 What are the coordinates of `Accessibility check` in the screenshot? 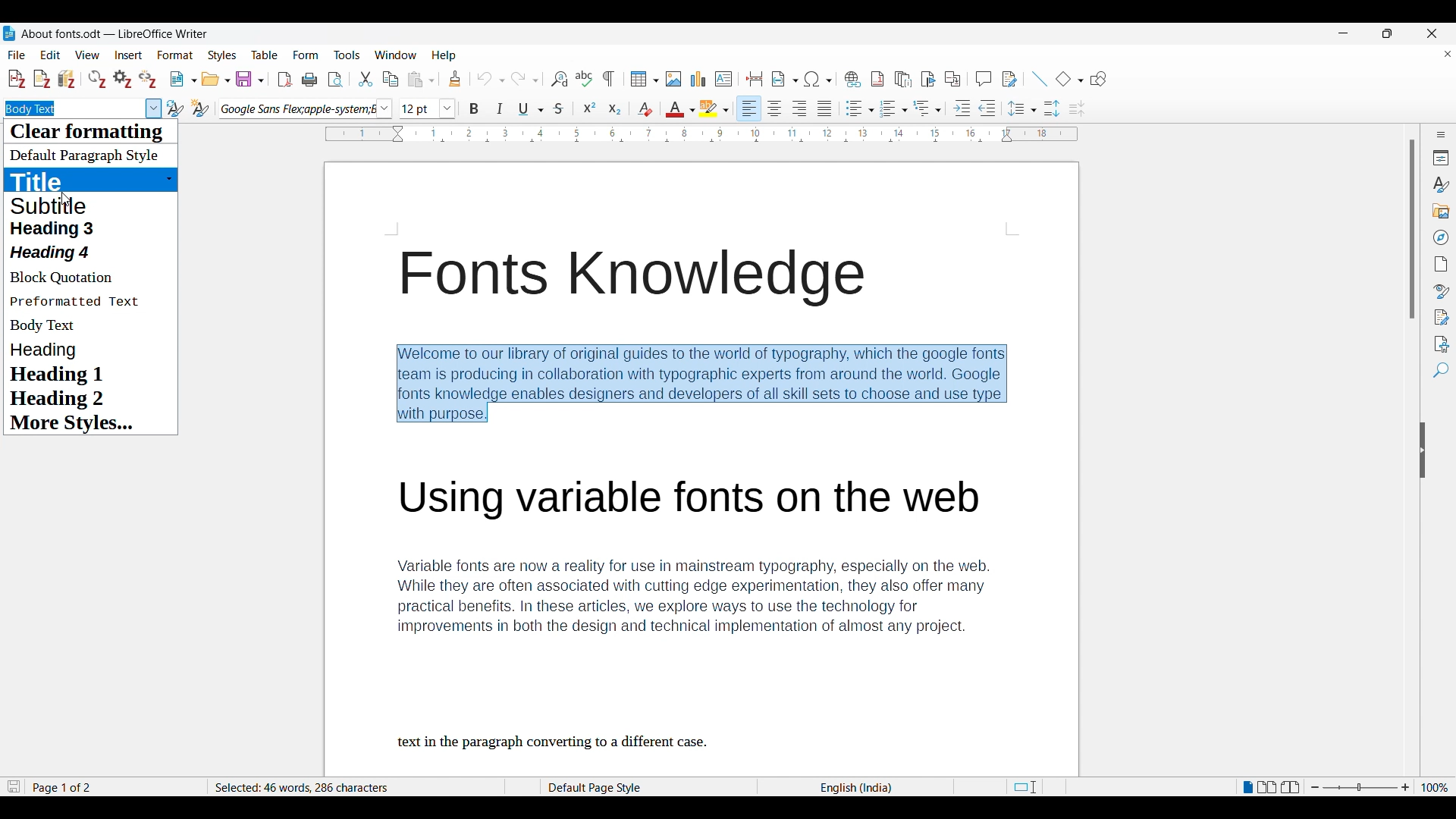 It's located at (1442, 345).